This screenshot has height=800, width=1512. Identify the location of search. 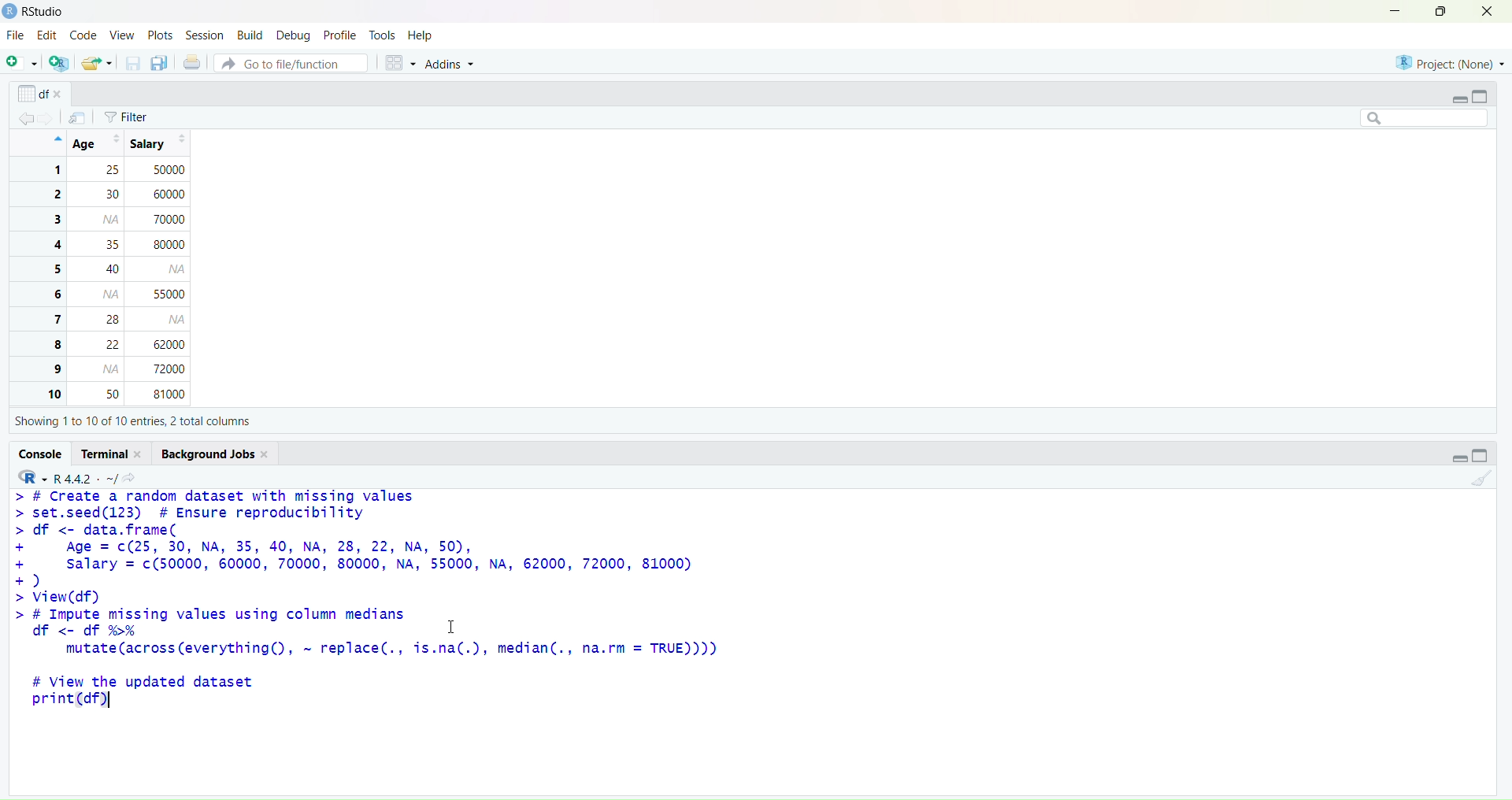
(1416, 117).